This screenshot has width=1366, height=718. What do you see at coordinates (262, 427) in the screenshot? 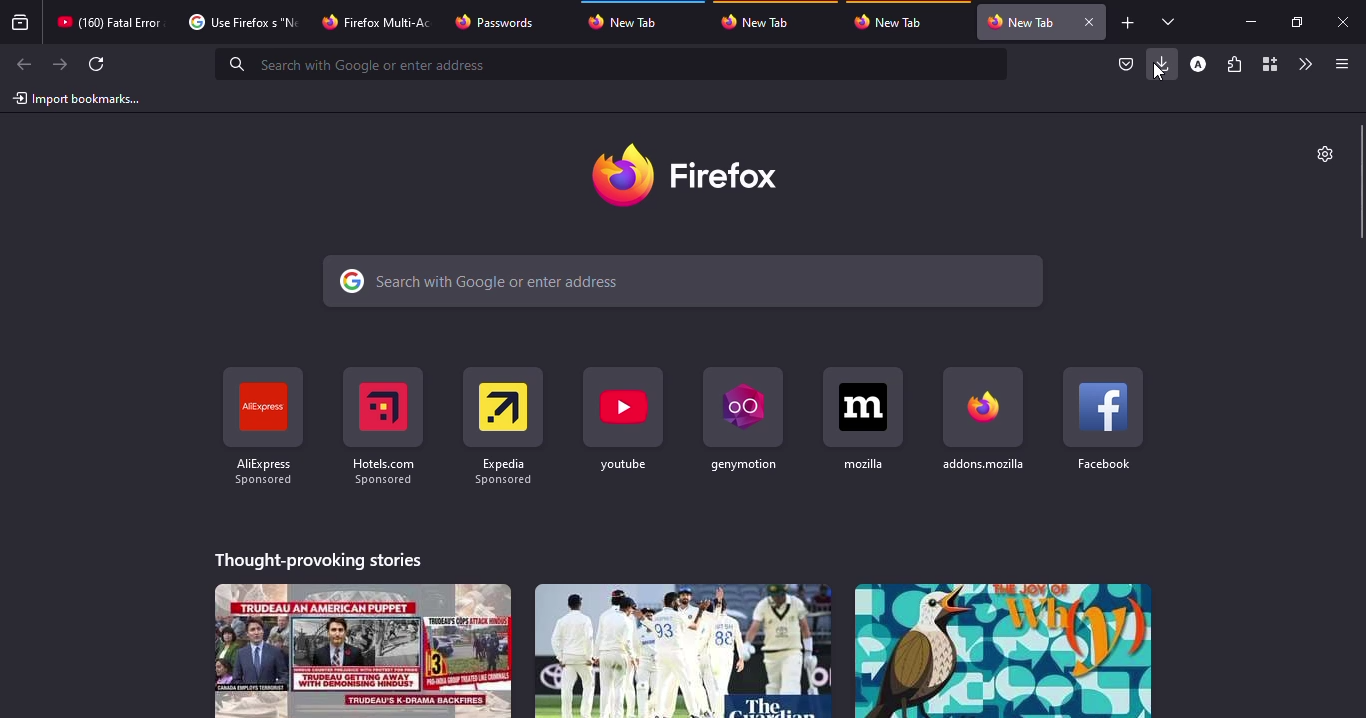
I see `shortcut` at bounding box center [262, 427].